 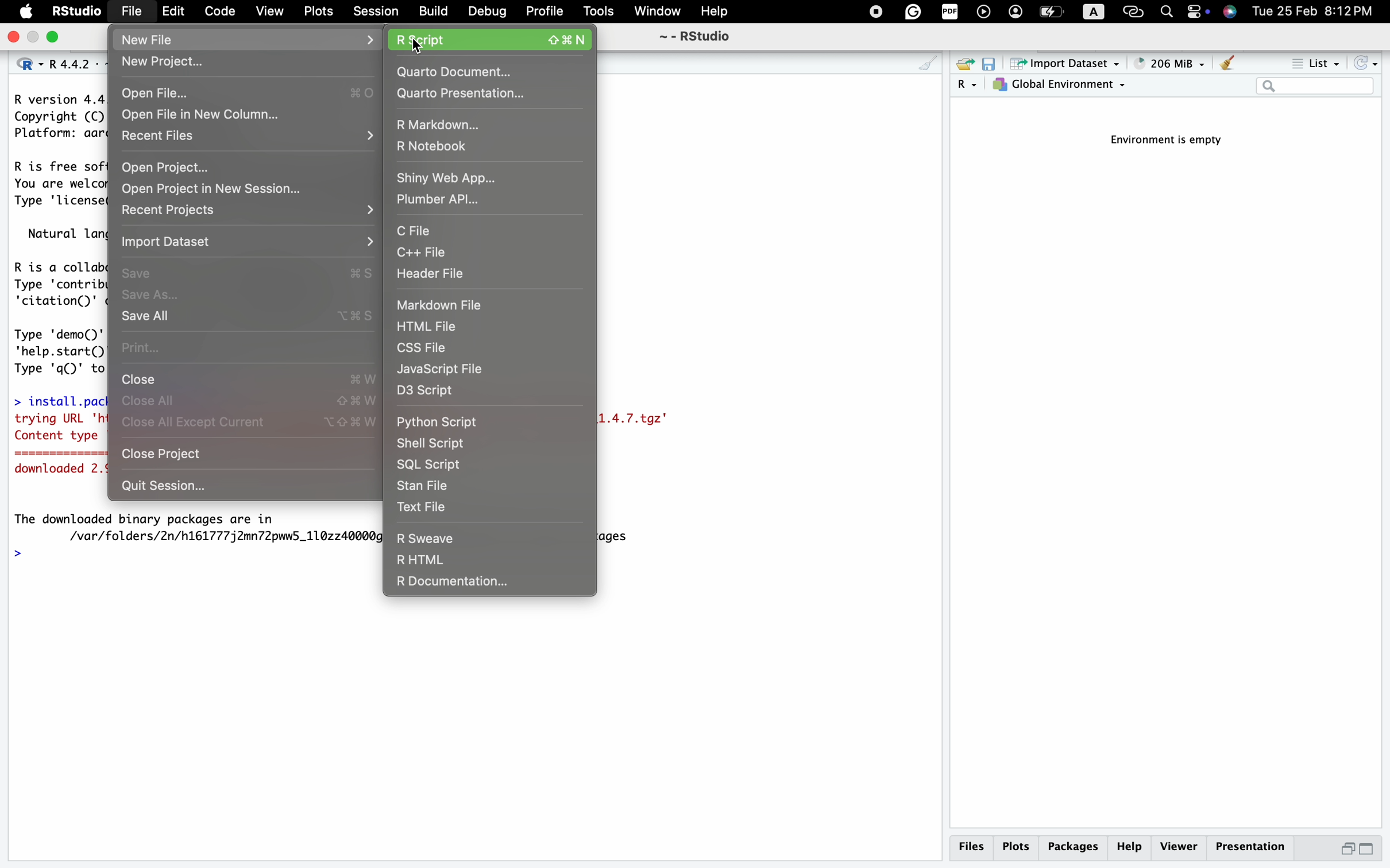 What do you see at coordinates (947, 13) in the screenshot?
I see `pdf` at bounding box center [947, 13].